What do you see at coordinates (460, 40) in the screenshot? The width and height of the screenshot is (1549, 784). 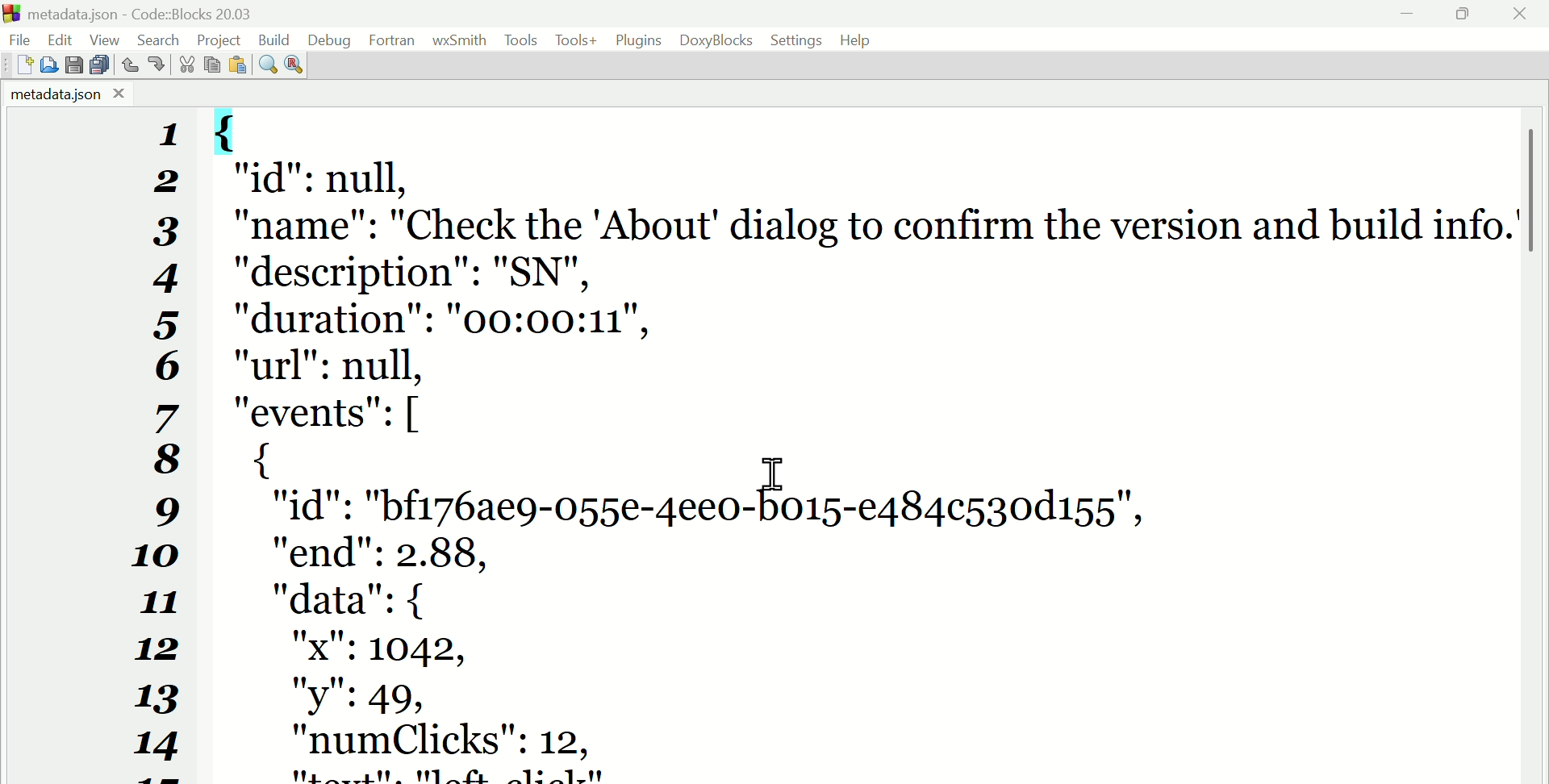 I see `WX Smith` at bounding box center [460, 40].